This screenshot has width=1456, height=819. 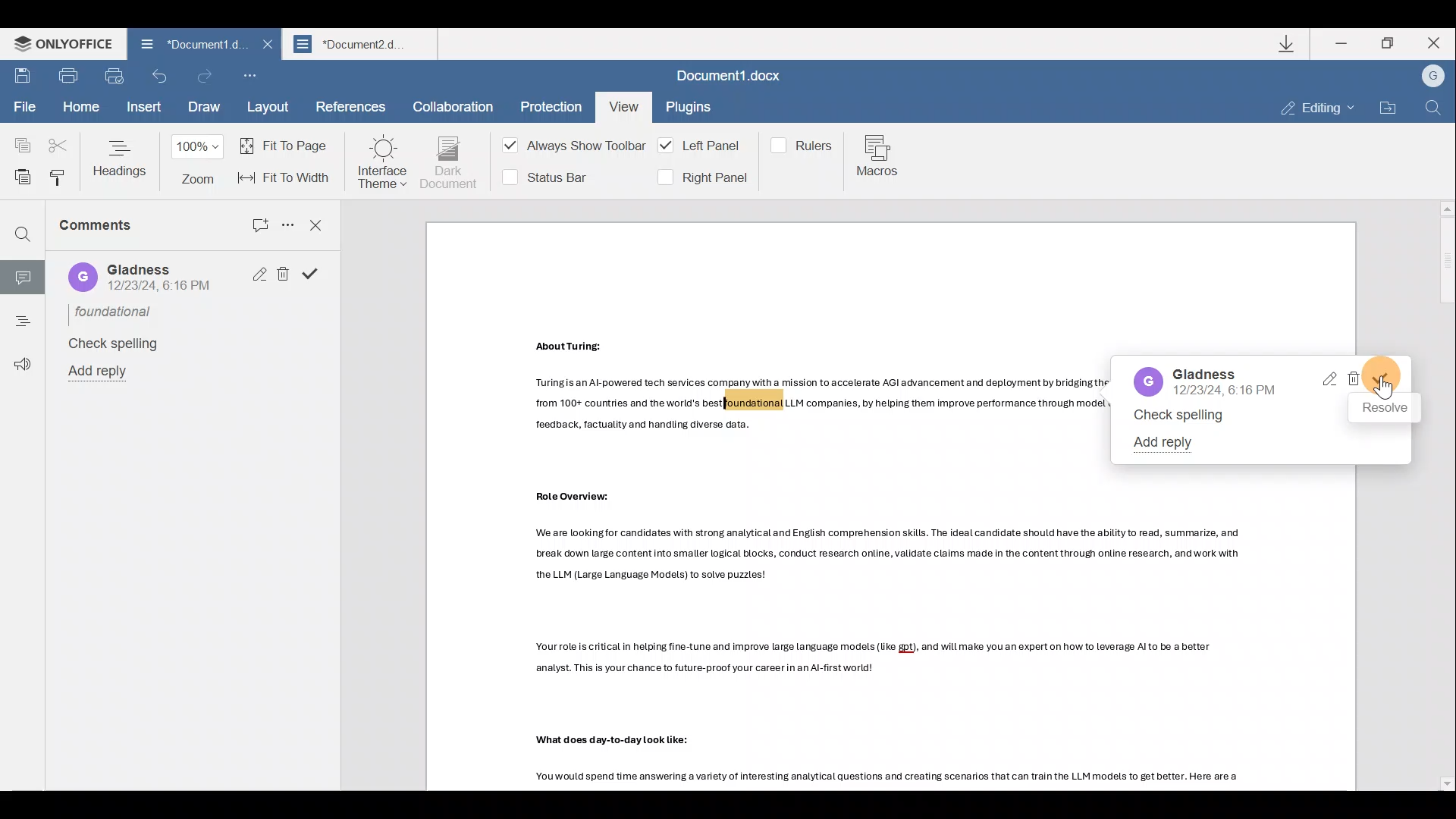 I want to click on Home, so click(x=79, y=107).